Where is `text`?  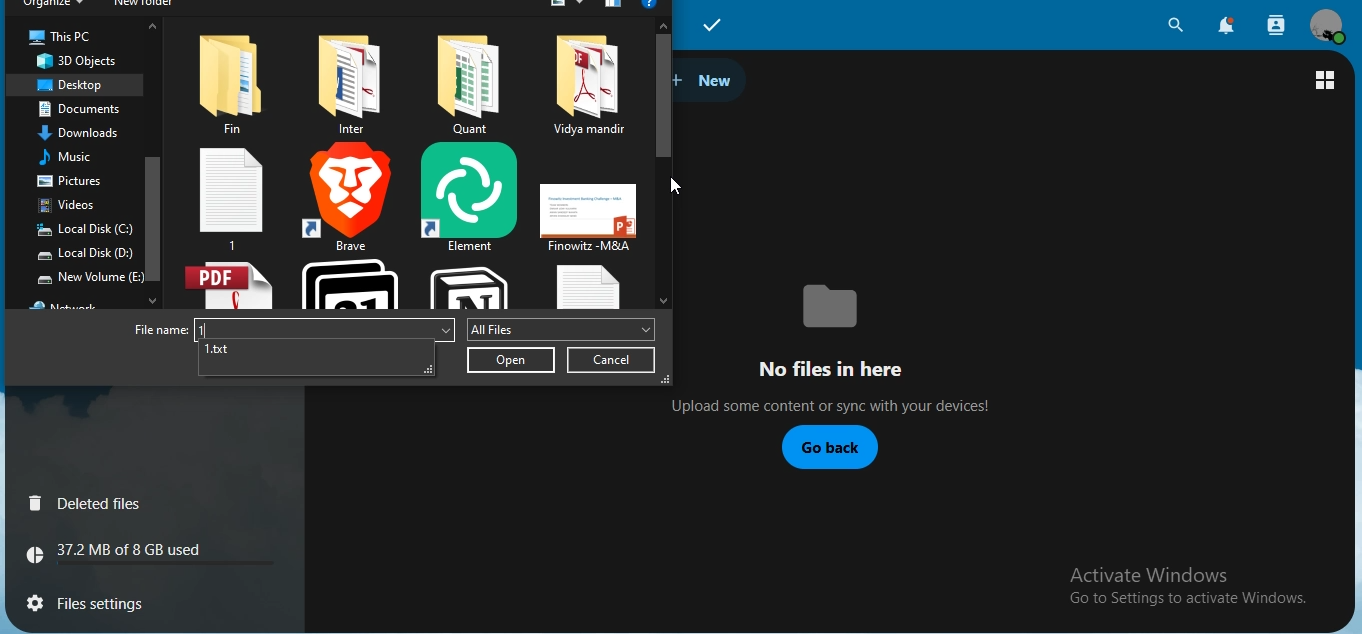
text is located at coordinates (855, 345).